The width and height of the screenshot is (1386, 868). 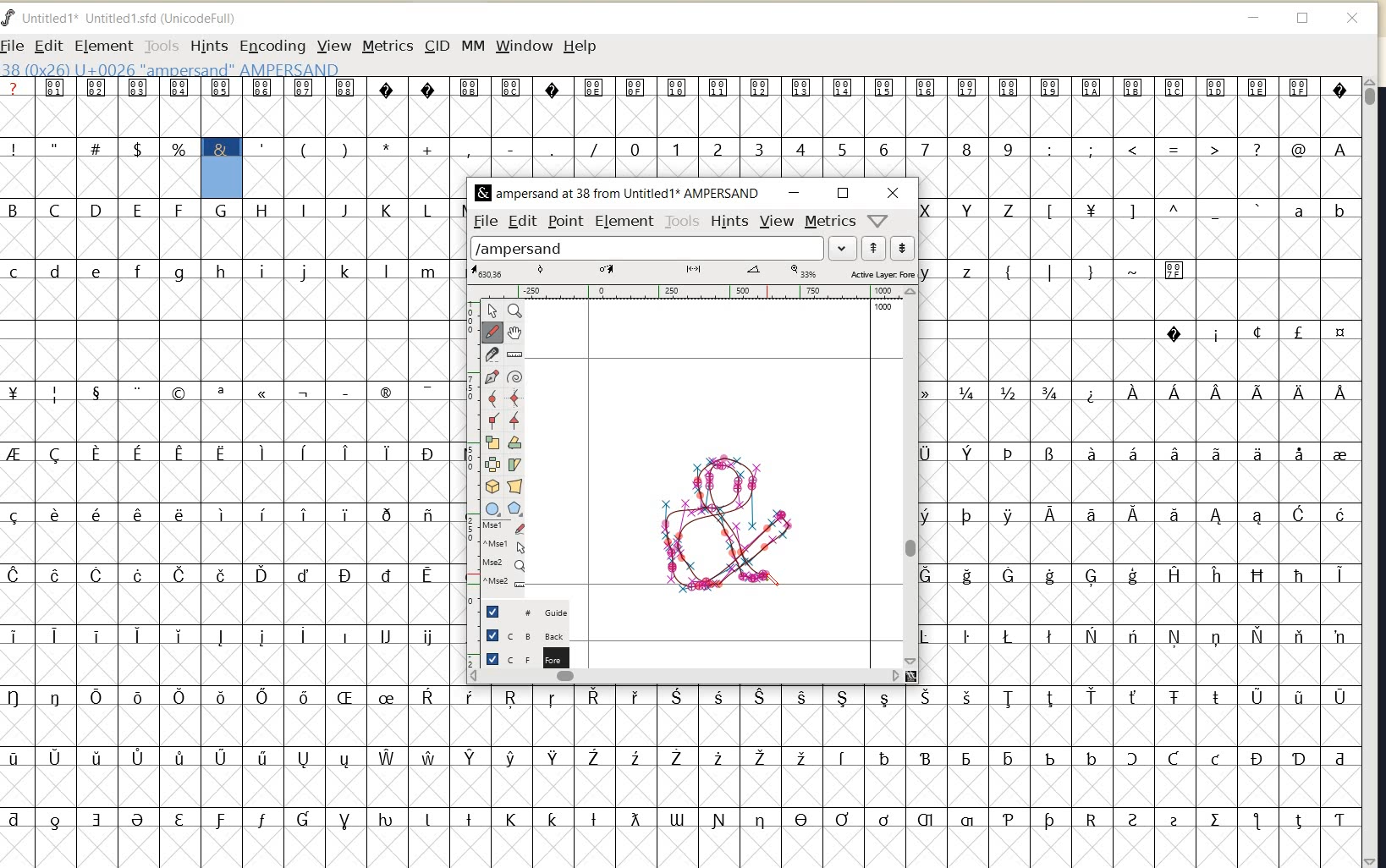 I want to click on EDIT, so click(x=46, y=45).